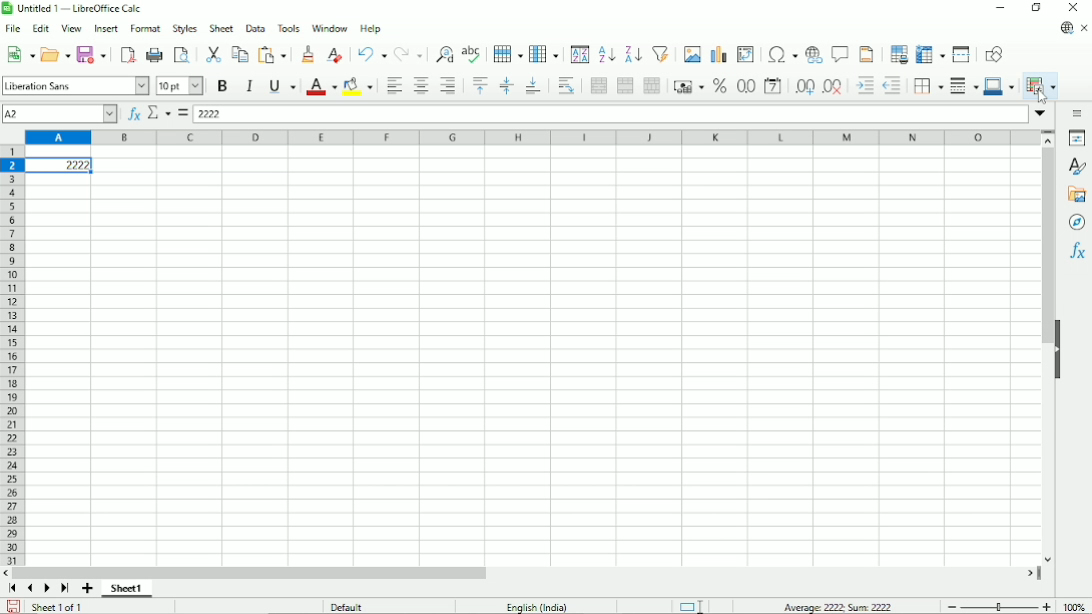  What do you see at coordinates (321, 87) in the screenshot?
I see `Text color` at bounding box center [321, 87].